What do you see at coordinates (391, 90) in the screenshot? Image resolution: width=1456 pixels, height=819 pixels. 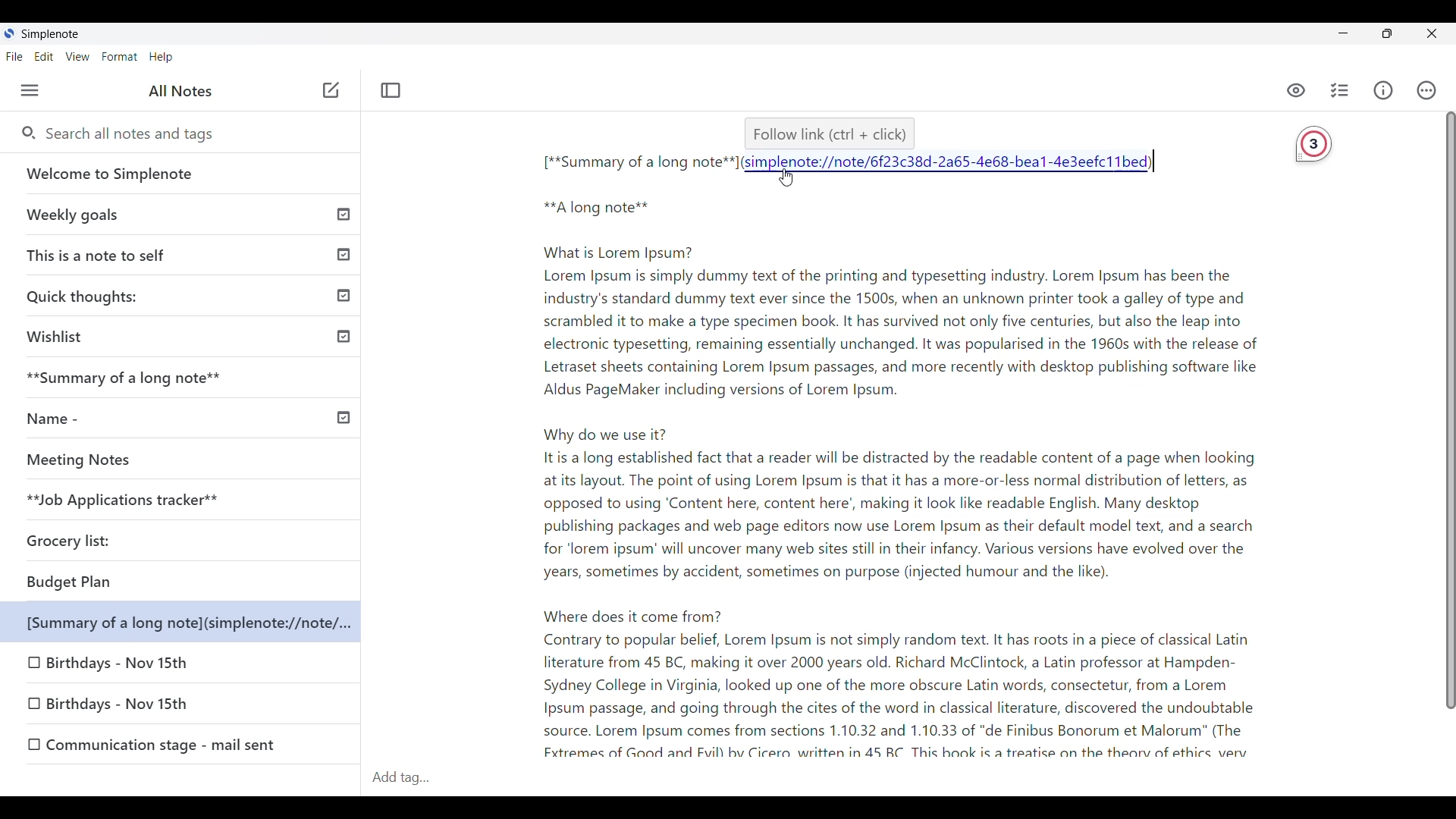 I see `Toggle focus mode` at bounding box center [391, 90].